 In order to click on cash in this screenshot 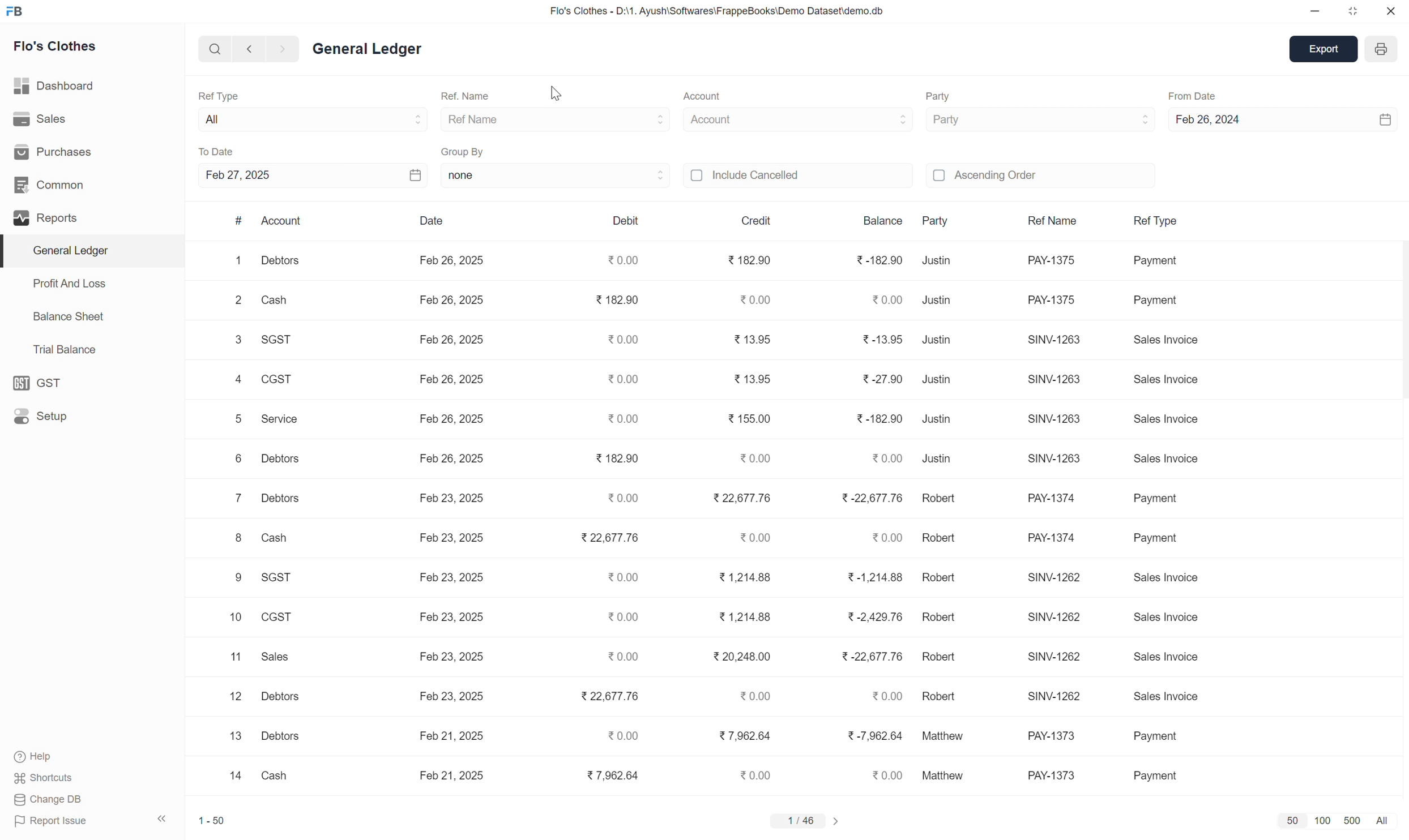, I will do `click(277, 538)`.